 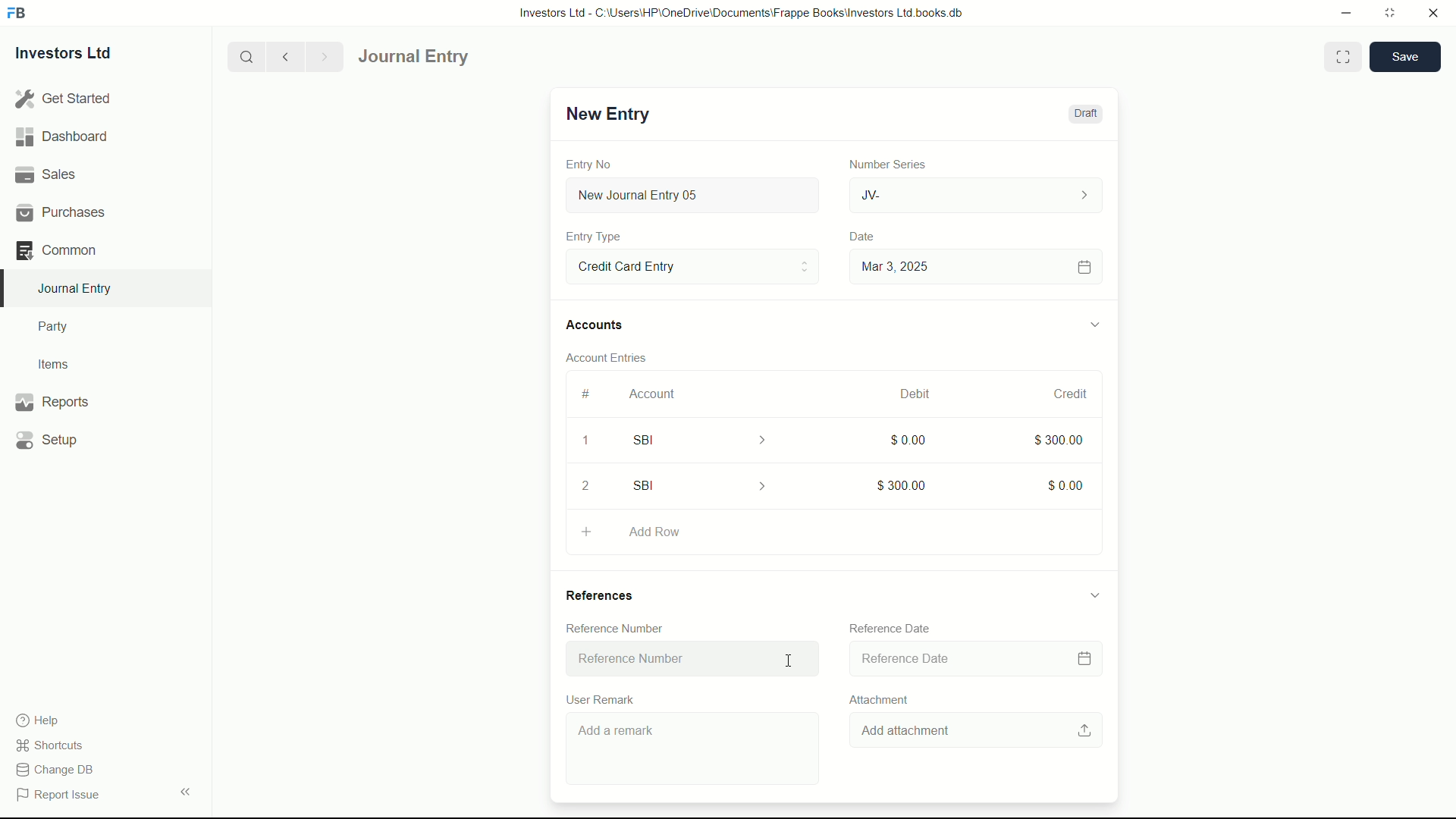 I want to click on $0.00, so click(x=901, y=439).